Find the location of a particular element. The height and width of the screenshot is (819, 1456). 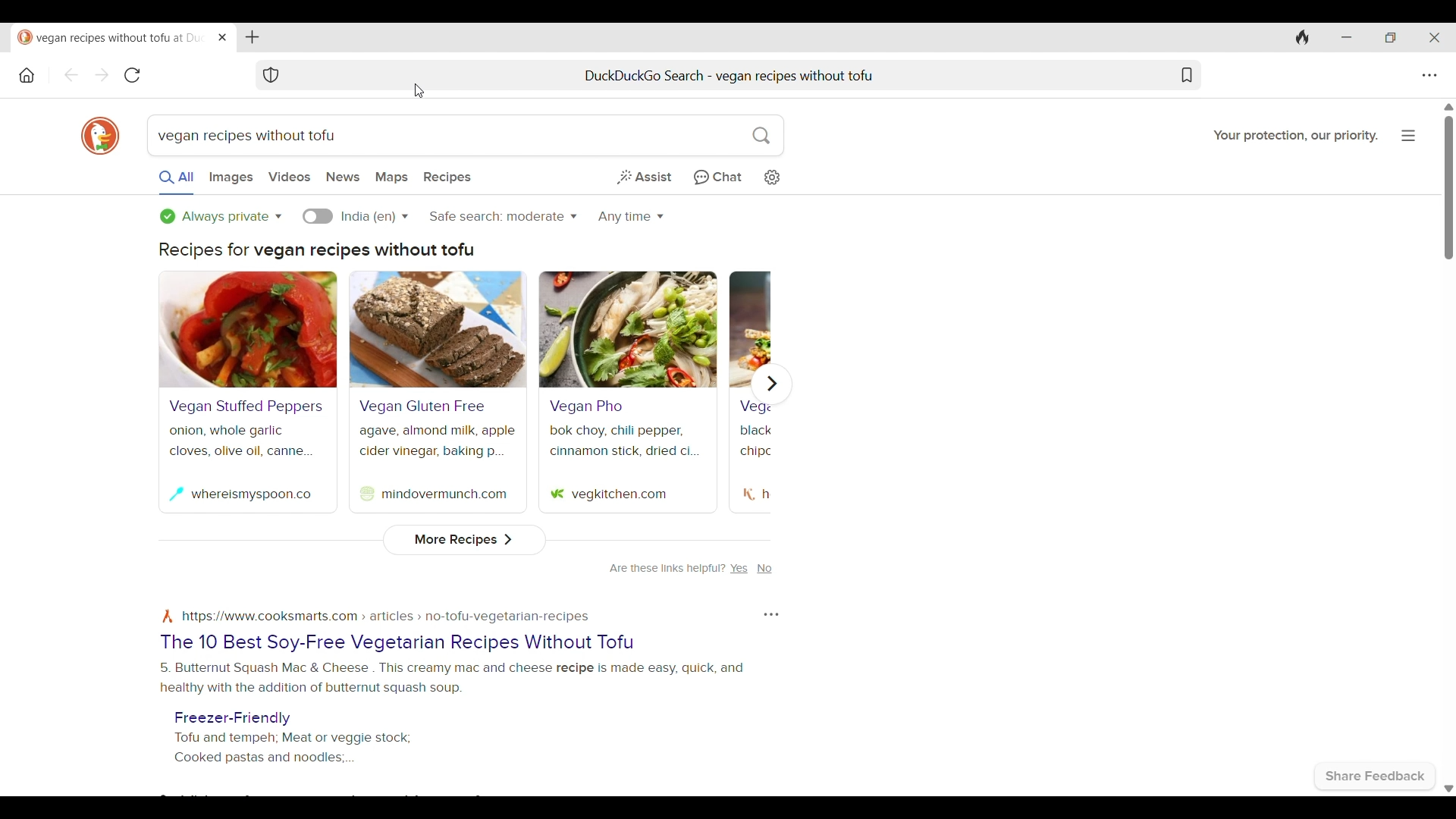

agave, almond milk, apple cider vinegar, baking p.. is located at coordinates (438, 442).